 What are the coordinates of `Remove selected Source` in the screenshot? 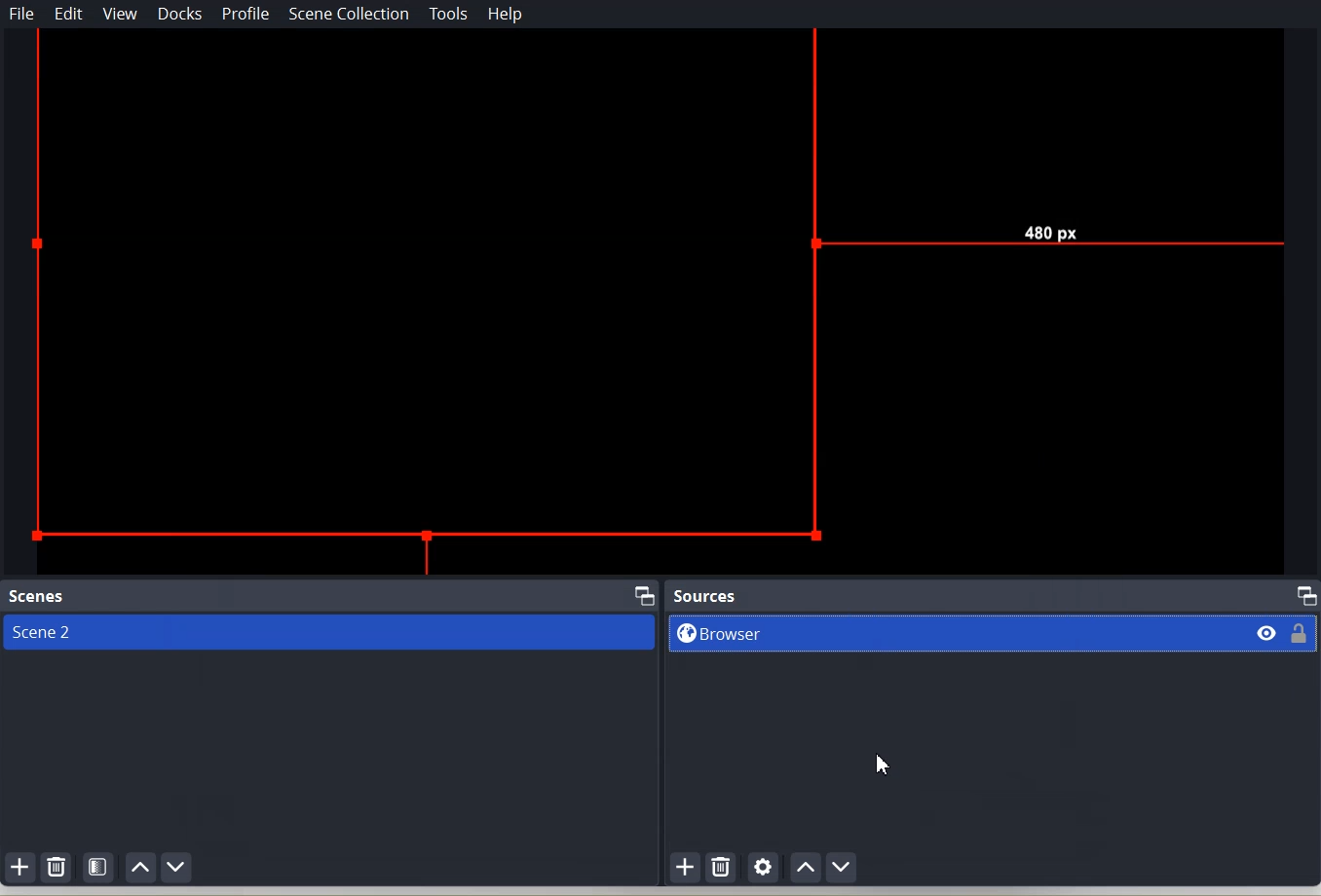 It's located at (722, 866).